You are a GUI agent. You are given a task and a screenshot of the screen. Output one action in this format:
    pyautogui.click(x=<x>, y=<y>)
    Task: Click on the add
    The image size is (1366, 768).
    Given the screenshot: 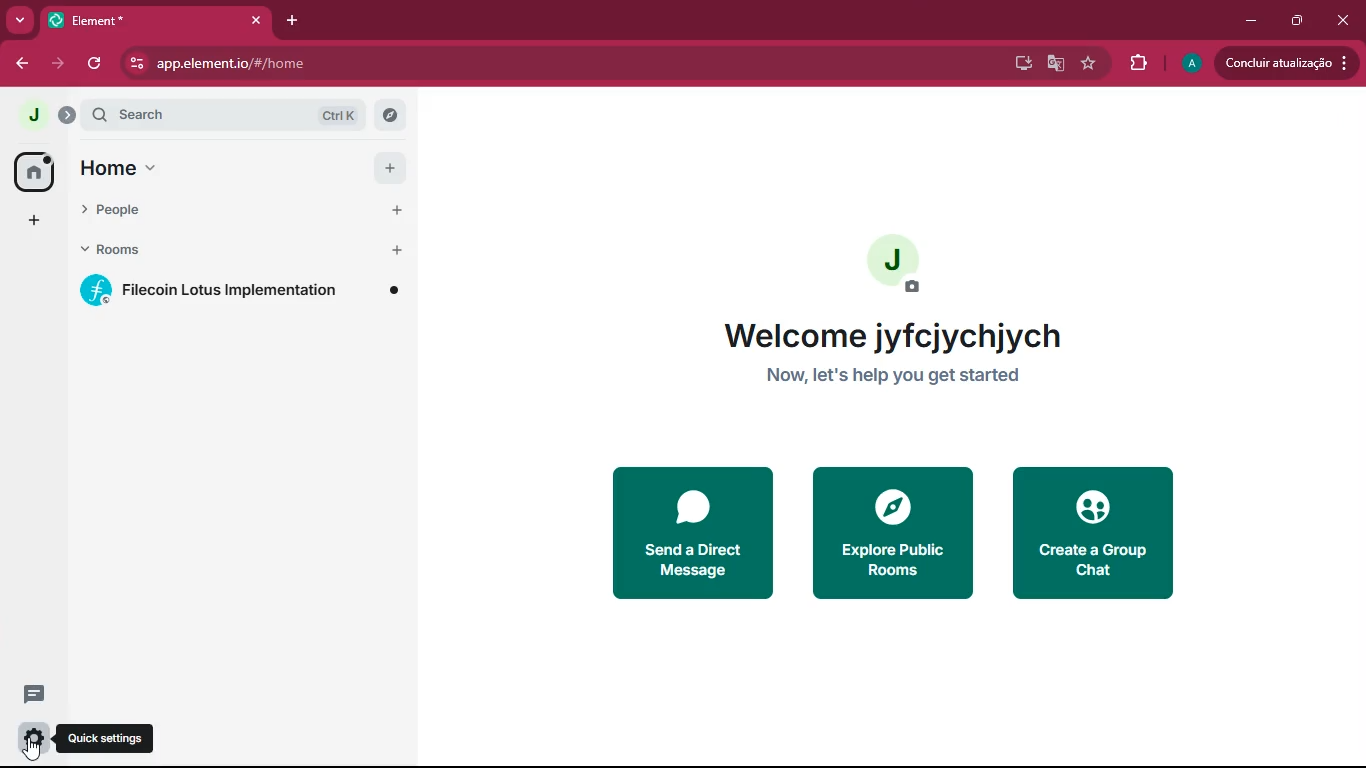 What is the action you would take?
    pyautogui.click(x=399, y=210)
    